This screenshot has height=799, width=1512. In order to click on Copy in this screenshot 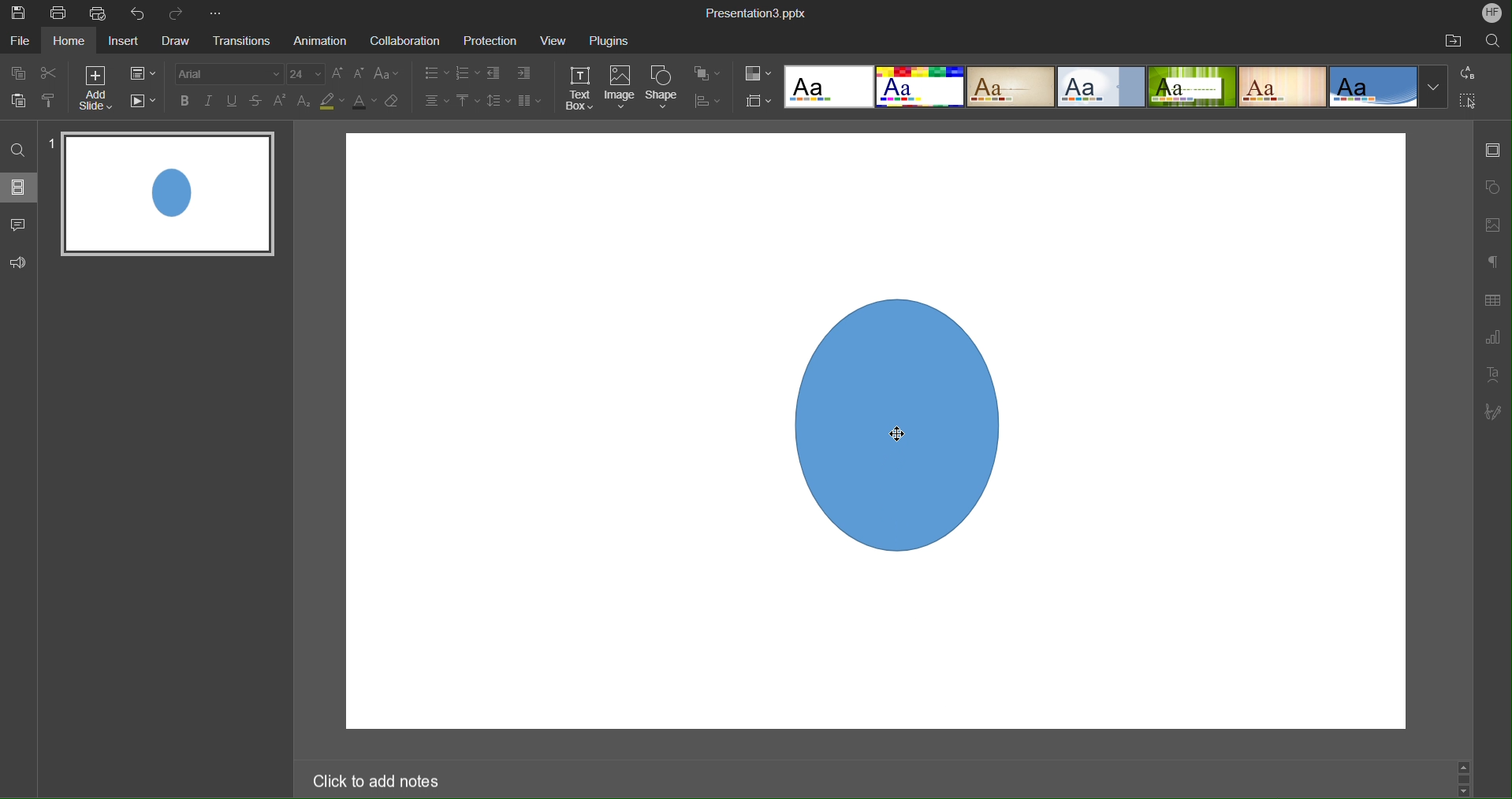, I will do `click(19, 72)`.